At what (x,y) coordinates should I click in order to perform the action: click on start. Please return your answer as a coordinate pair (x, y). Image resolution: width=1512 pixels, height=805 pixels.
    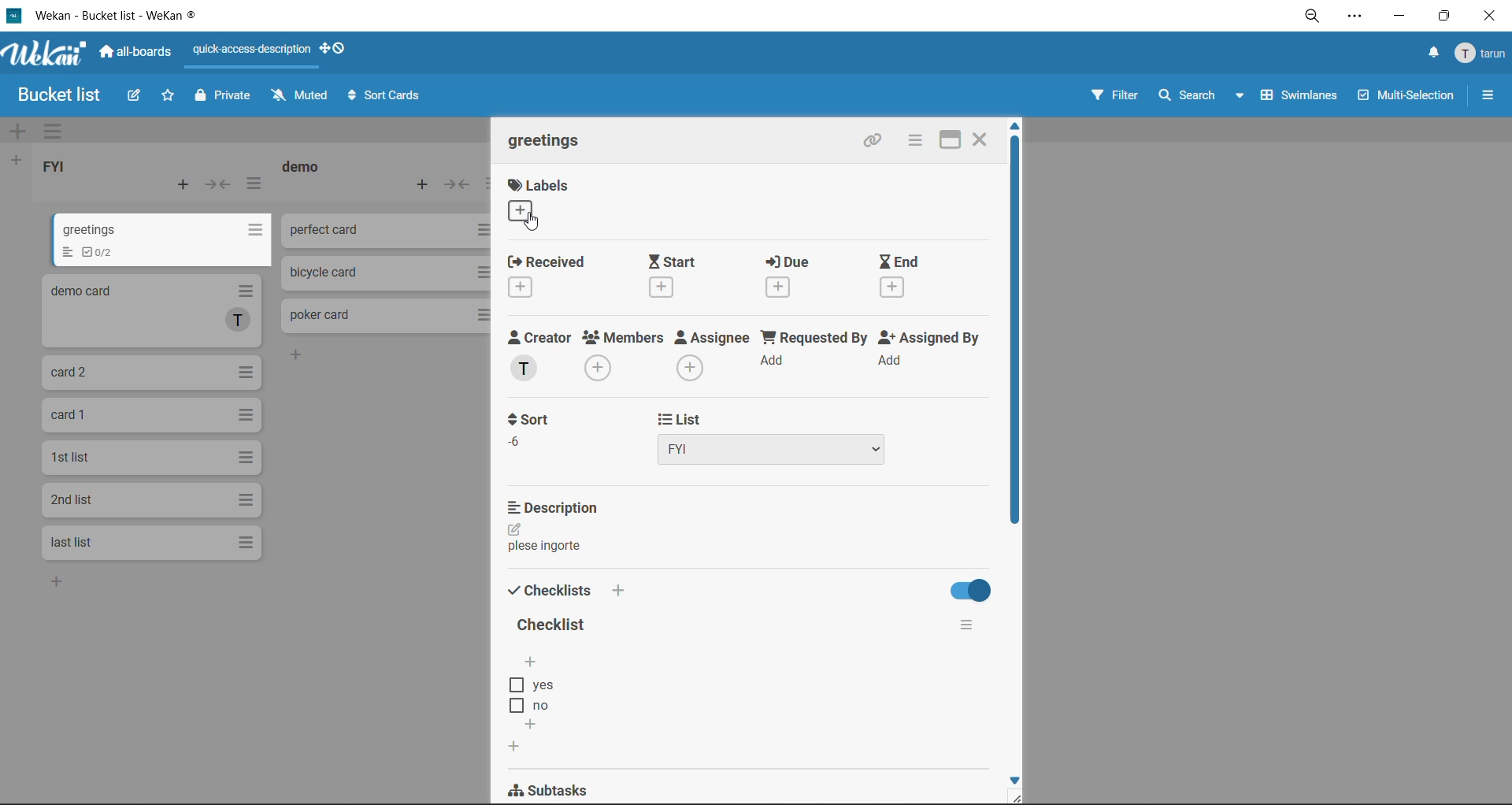
    Looking at the image, I should click on (676, 273).